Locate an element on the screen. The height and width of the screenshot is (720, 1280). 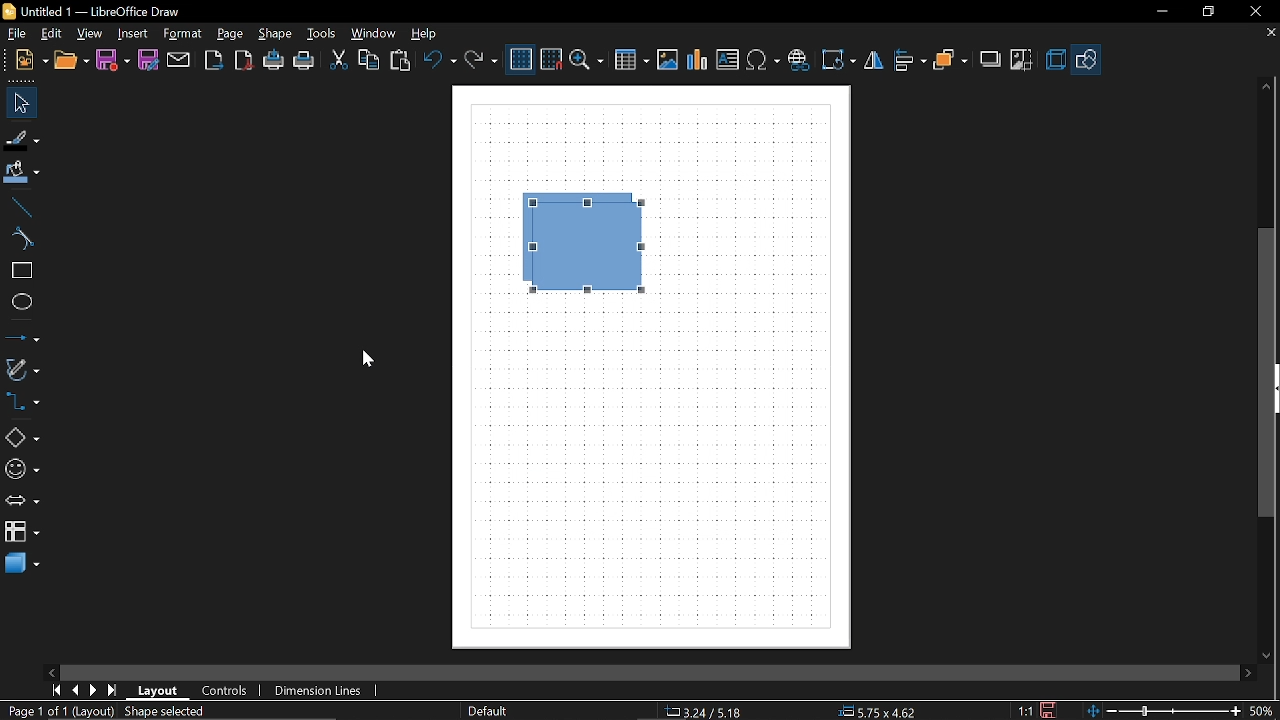
zoom is located at coordinates (587, 61).